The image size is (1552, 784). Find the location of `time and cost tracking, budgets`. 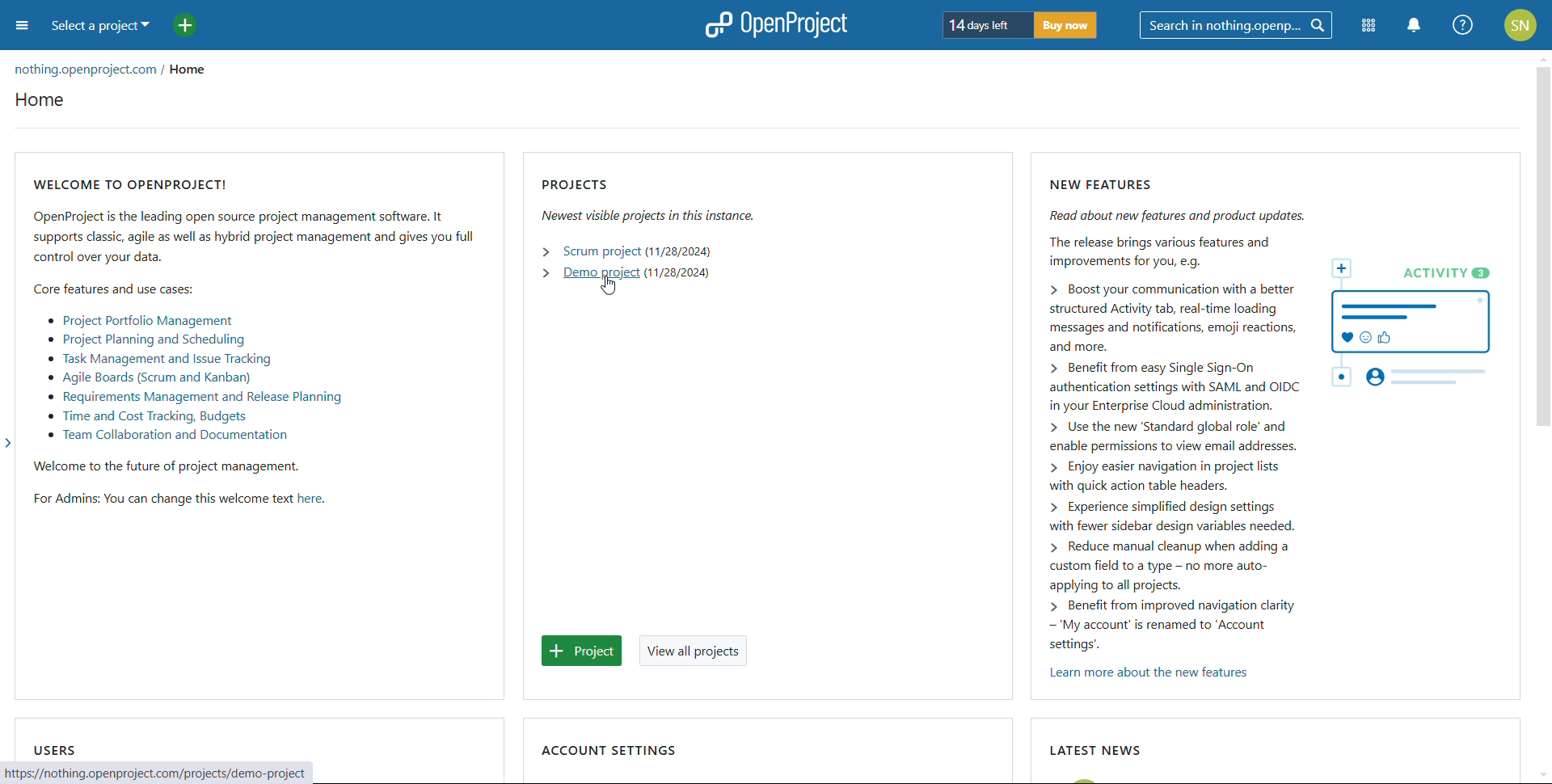

time and cost tracking, budgets is located at coordinates (146, 417).